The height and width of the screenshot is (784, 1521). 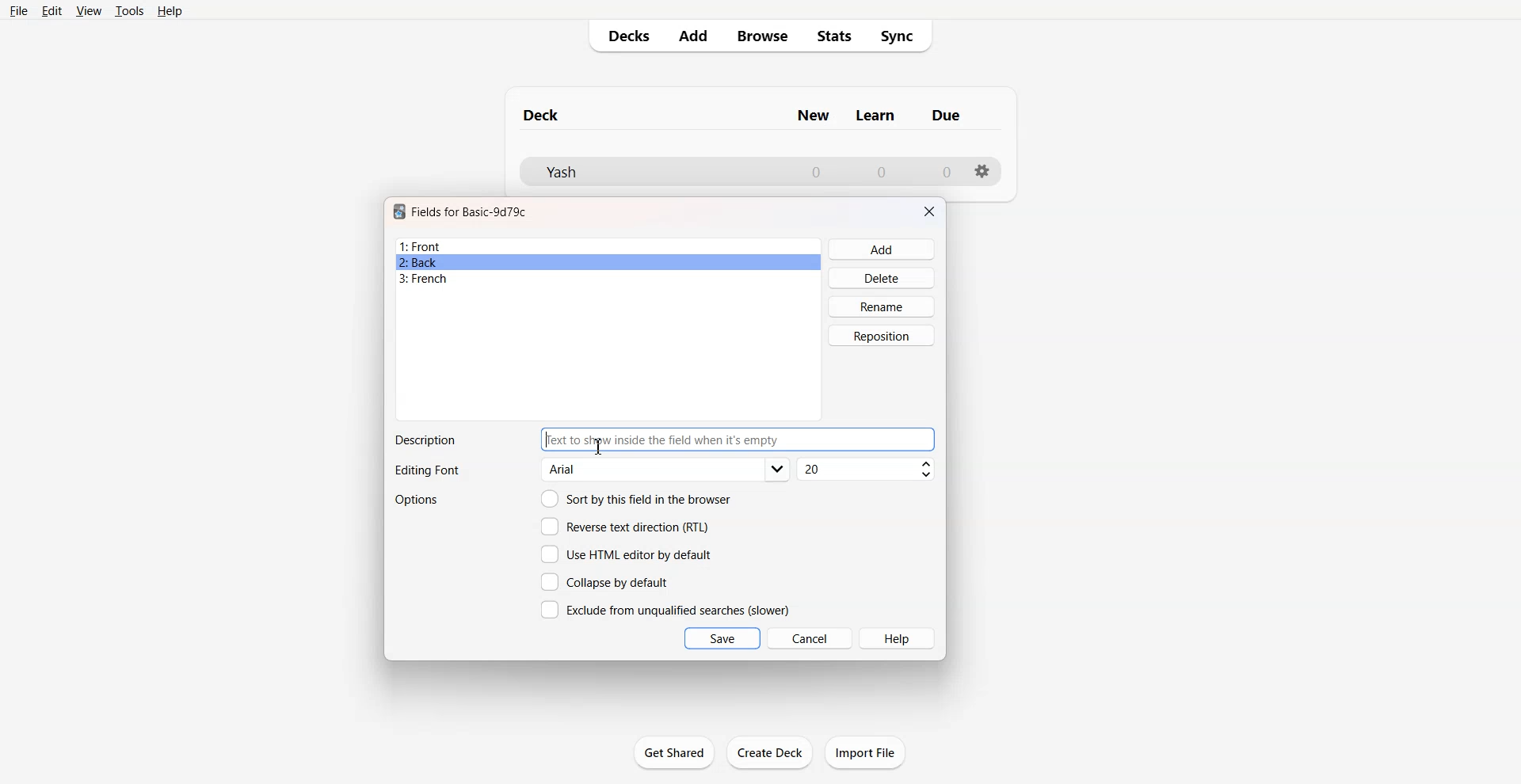 What do you see at coordinates (623, 36) in the screenshot?
I see `Decks` at bounding box center [623, 36].